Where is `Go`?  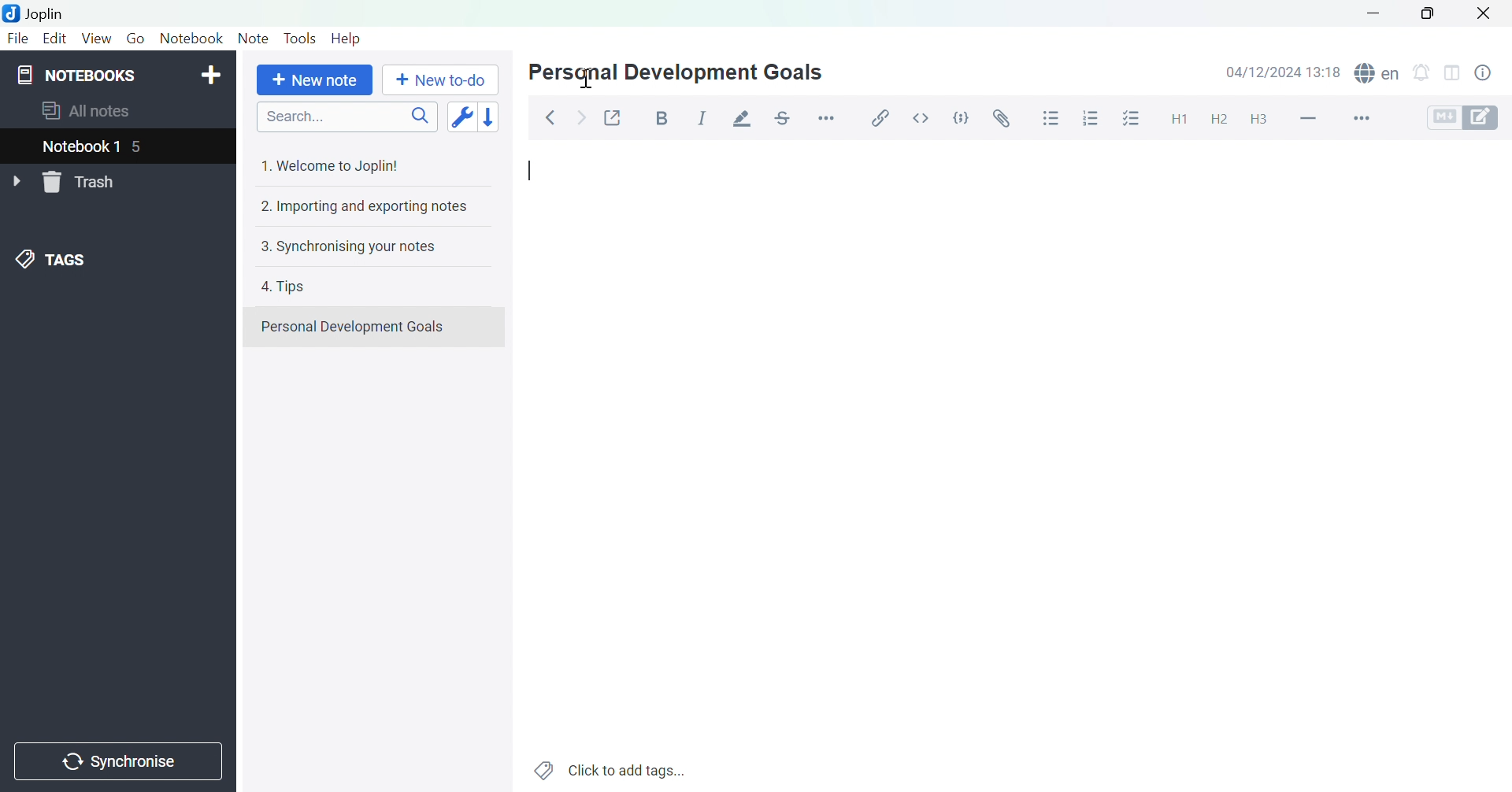
Go is located at coordinates (135, 39).